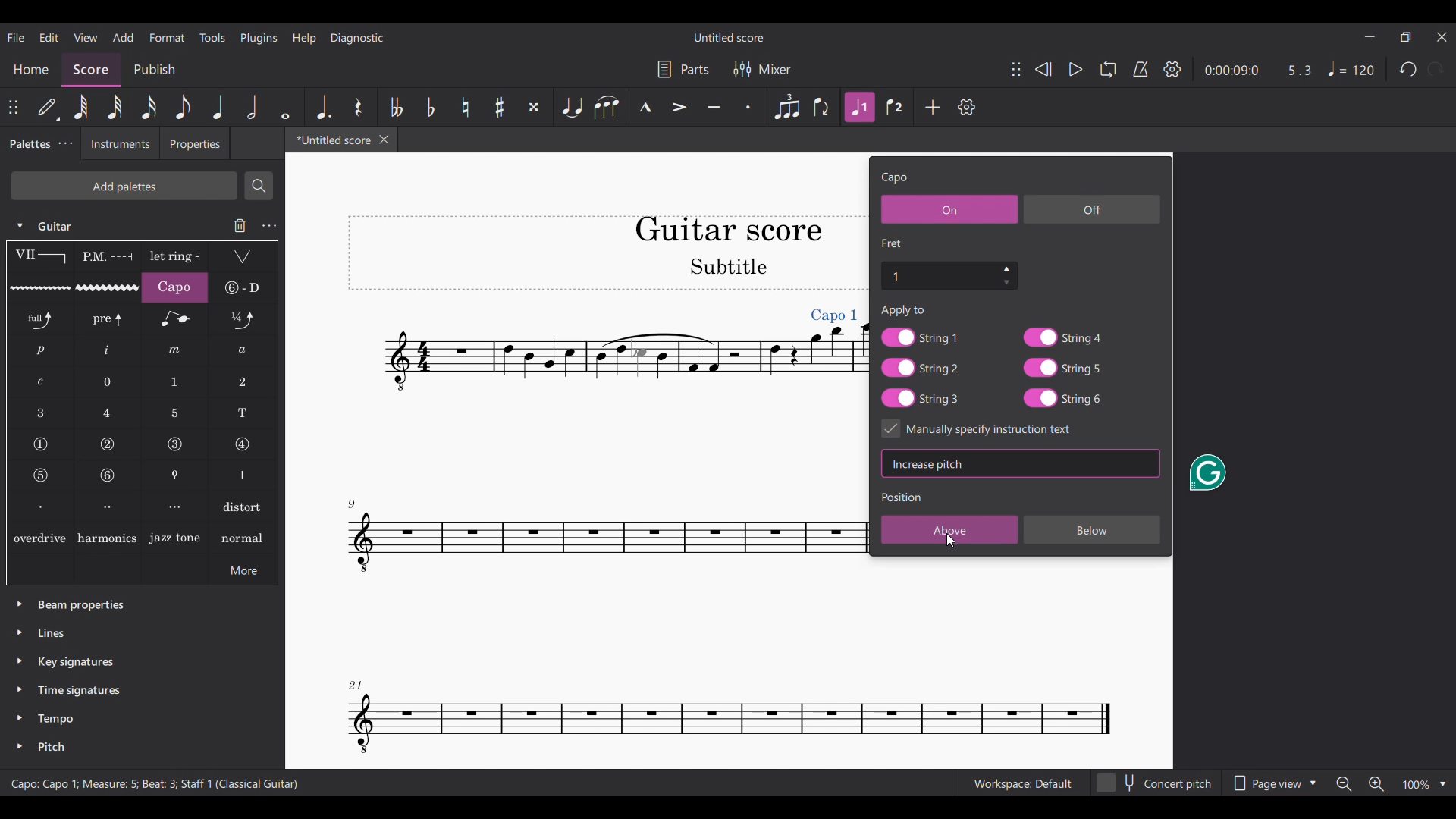 This screenshot has height=819, width=1456. Describe the element at coordinates (1108, 69) in the screenshot. I see `Loop playback` at that location.